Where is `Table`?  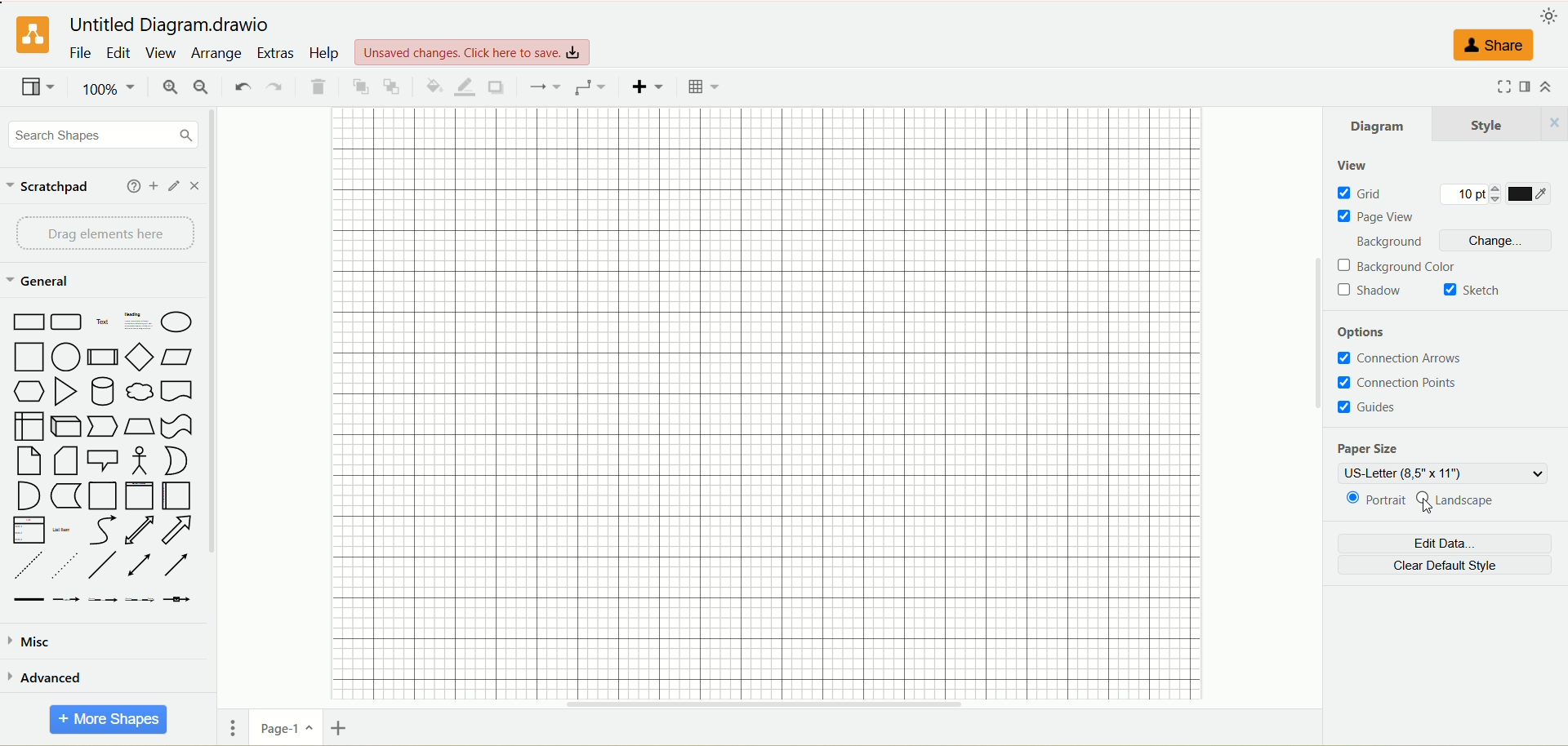
Table is located at coordinates (703, 87).